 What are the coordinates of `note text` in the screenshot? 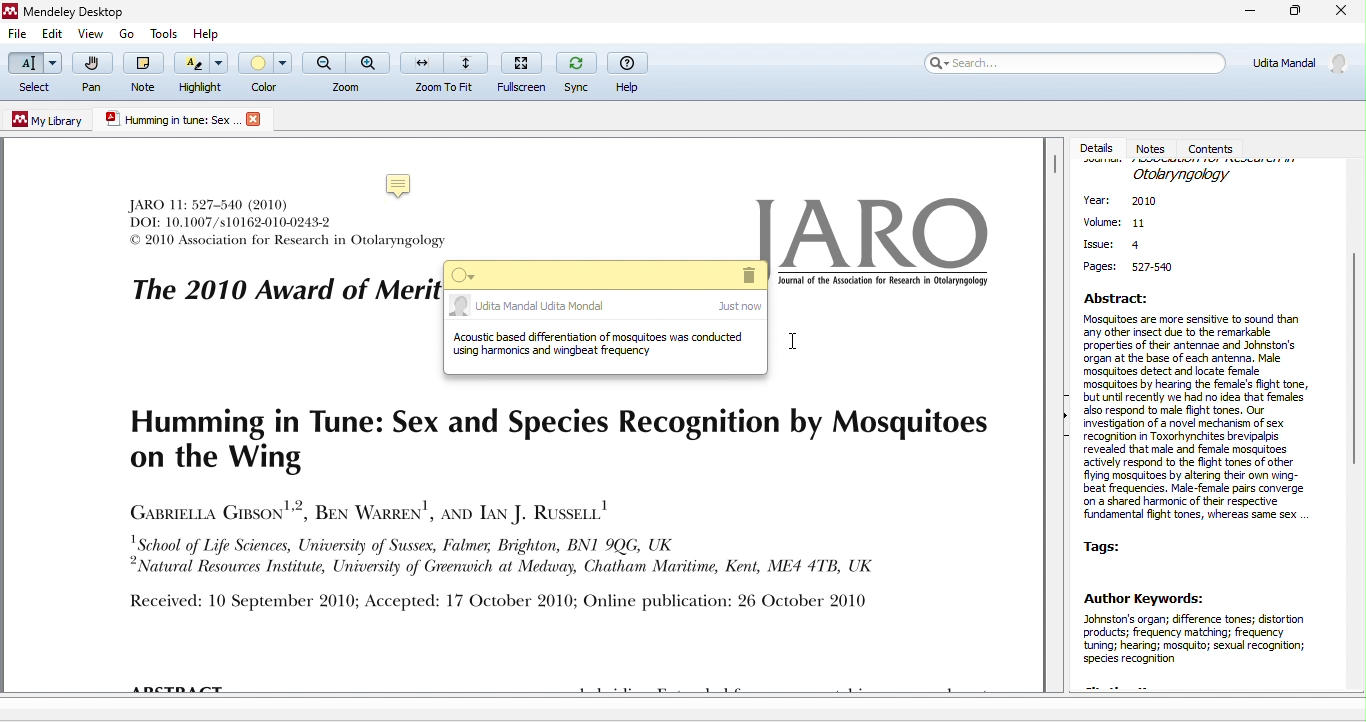 It's located at (602, 346).